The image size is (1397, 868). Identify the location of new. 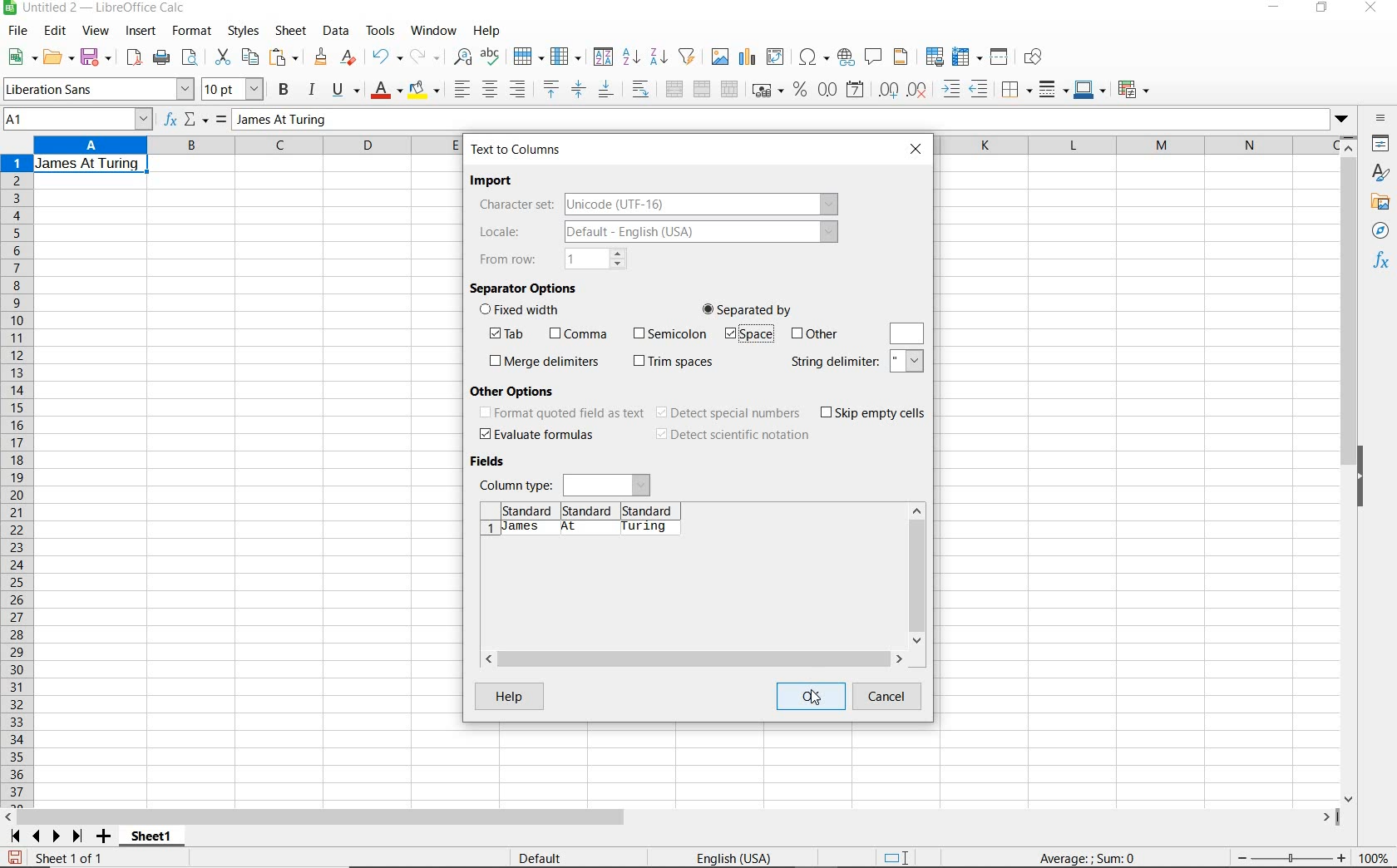
(21, 57).